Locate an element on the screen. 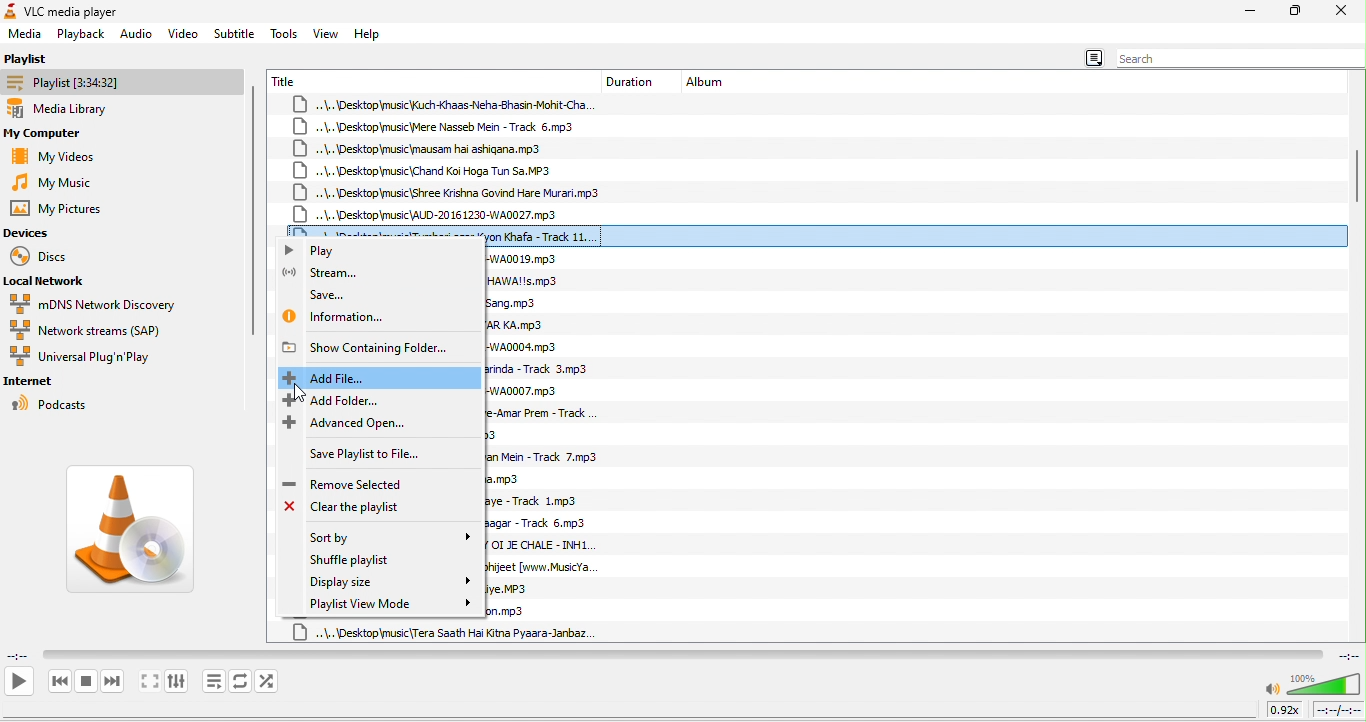  devices is located at coordinates (35, 234).